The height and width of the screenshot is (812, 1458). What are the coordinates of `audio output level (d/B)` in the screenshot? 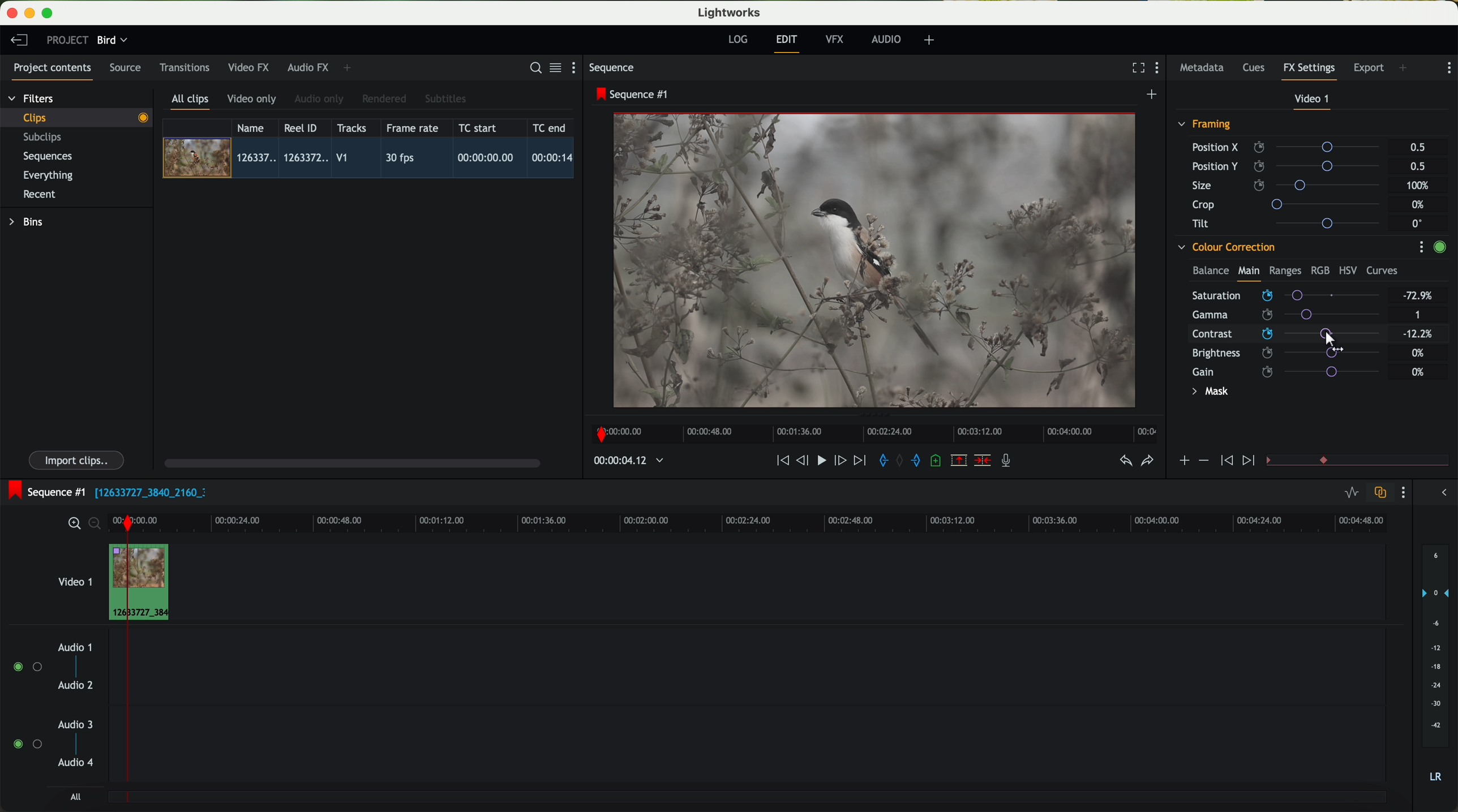 It's located at (1436, 667).